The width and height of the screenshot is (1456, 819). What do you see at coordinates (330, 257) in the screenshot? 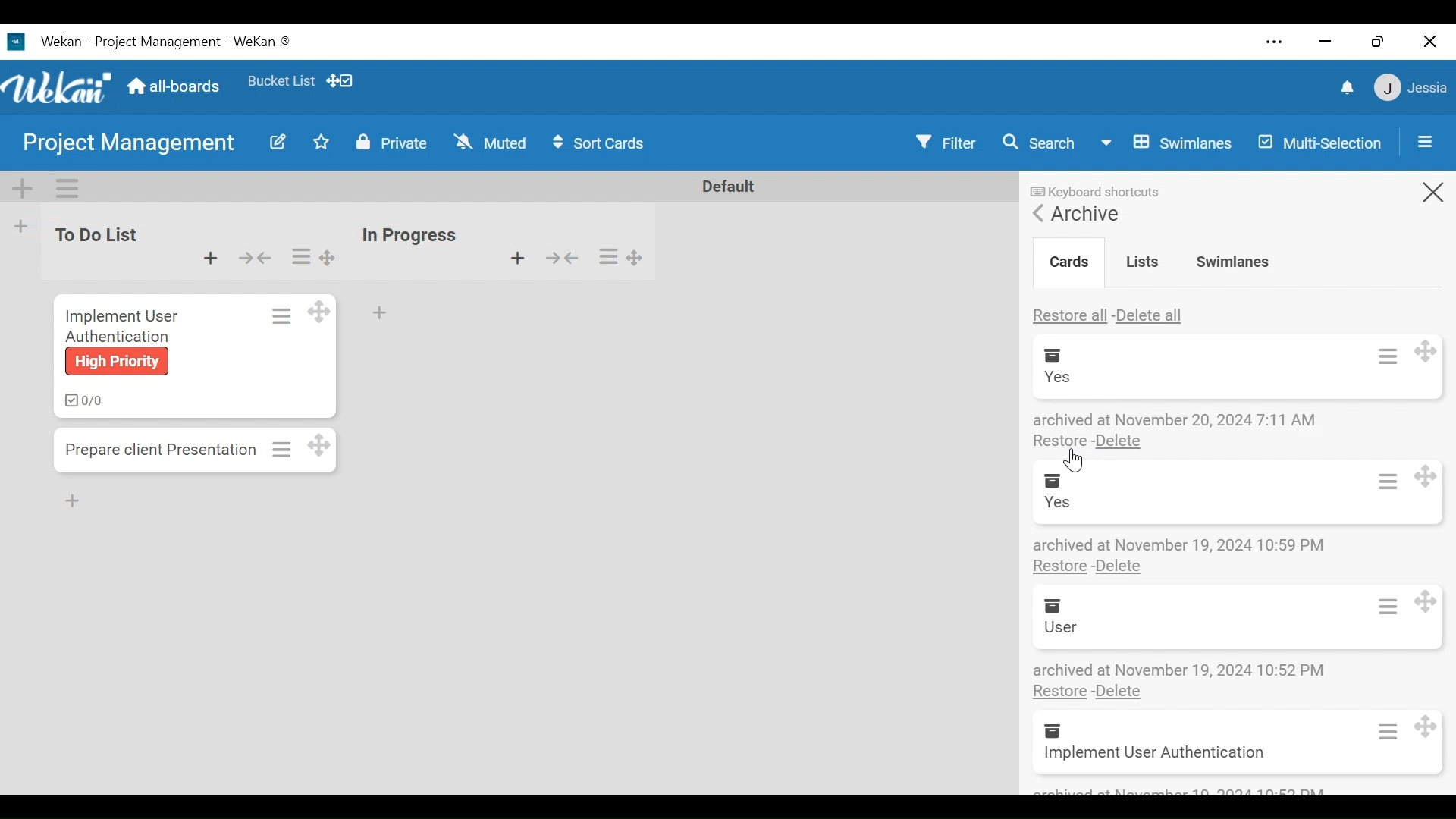
I see `Drag handles` at bounding box center [330, 257].